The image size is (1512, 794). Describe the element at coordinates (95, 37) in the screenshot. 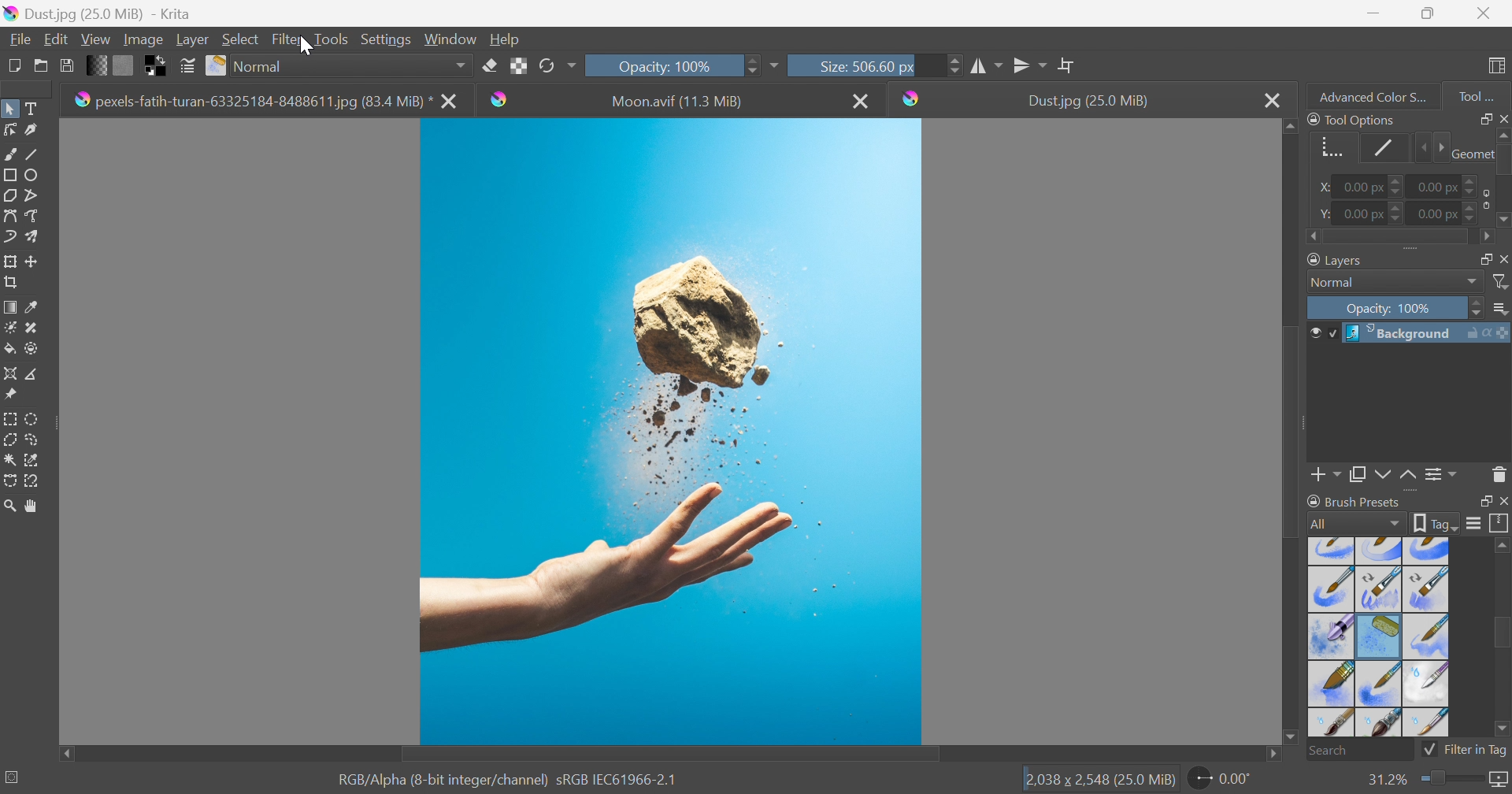

I see `View` at that location.